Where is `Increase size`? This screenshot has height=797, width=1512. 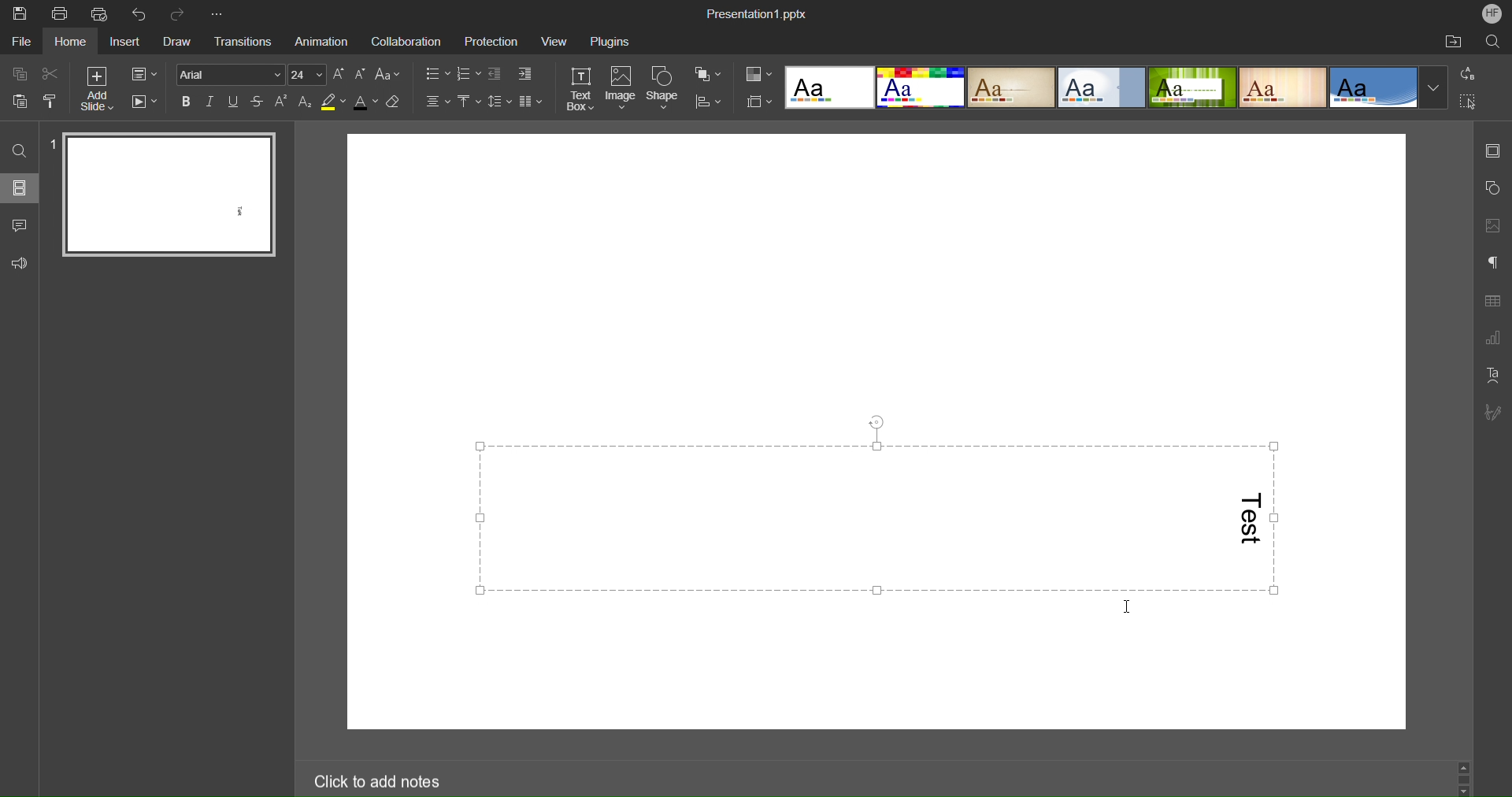
Increase size is located at coordinates (340, 73).